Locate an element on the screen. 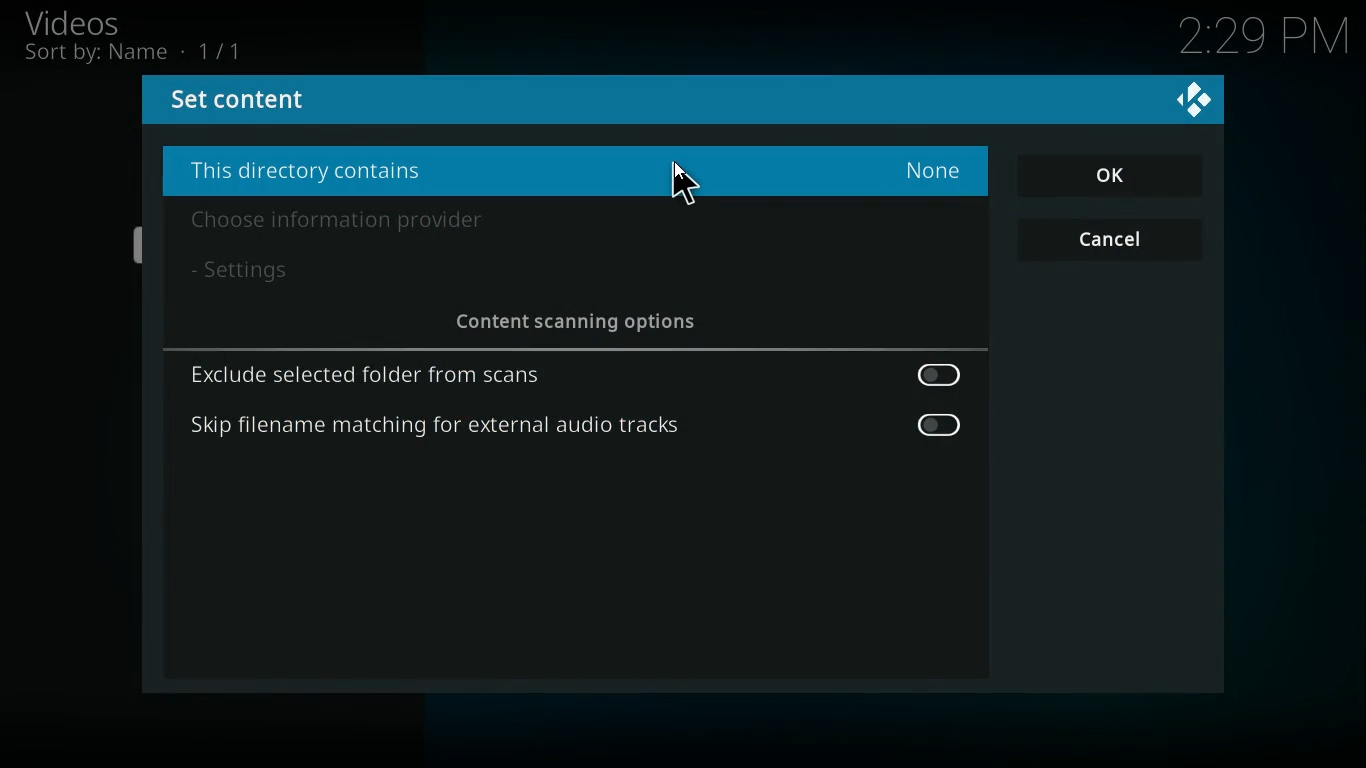  OK is located at coordinates (1113, 176).